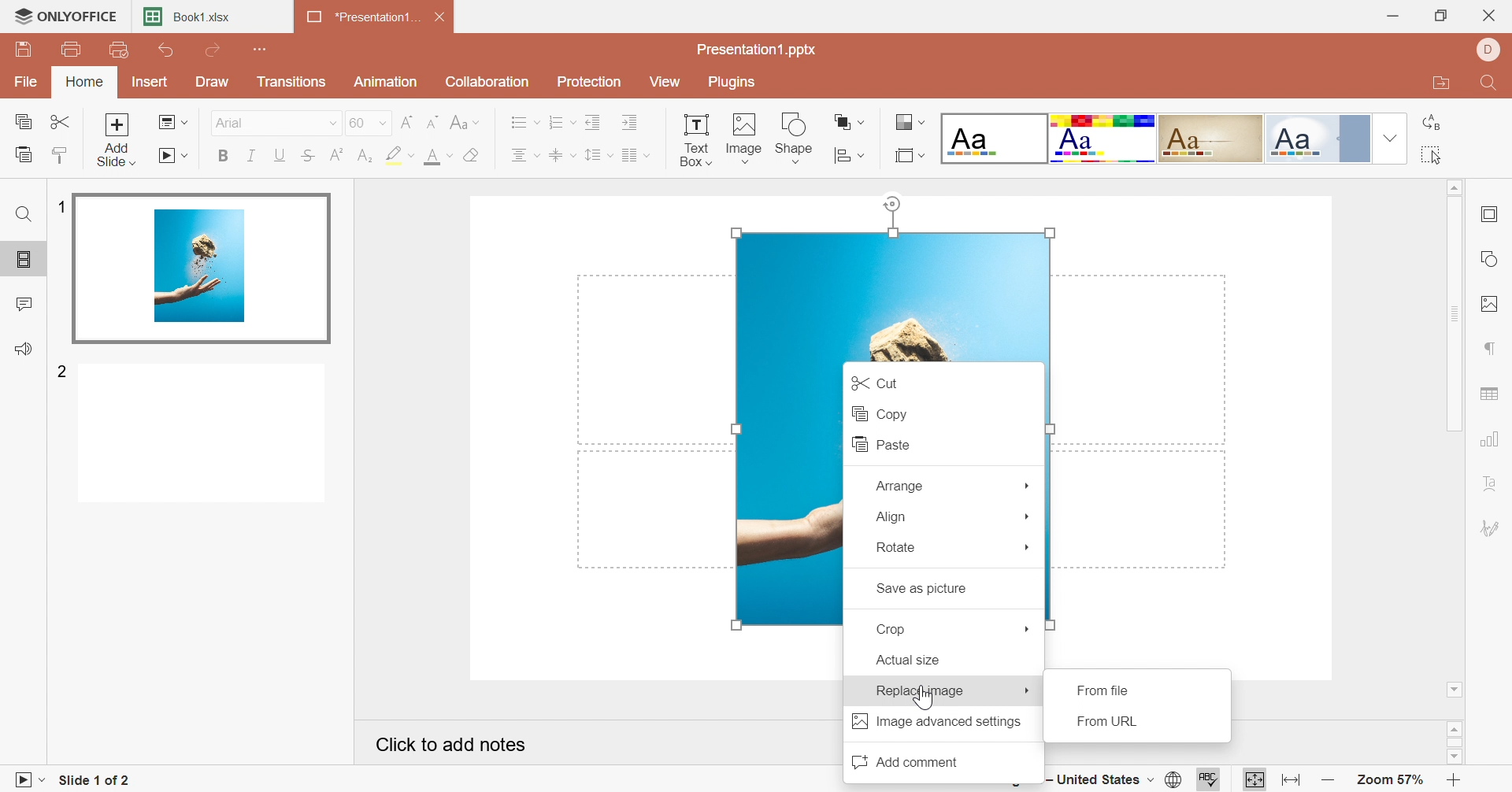 Image resolution: width=1512 pixels, height=792 pixels. Describe the element at coordinates (925, 701) in the screenshot. I see `cursor` at that location.